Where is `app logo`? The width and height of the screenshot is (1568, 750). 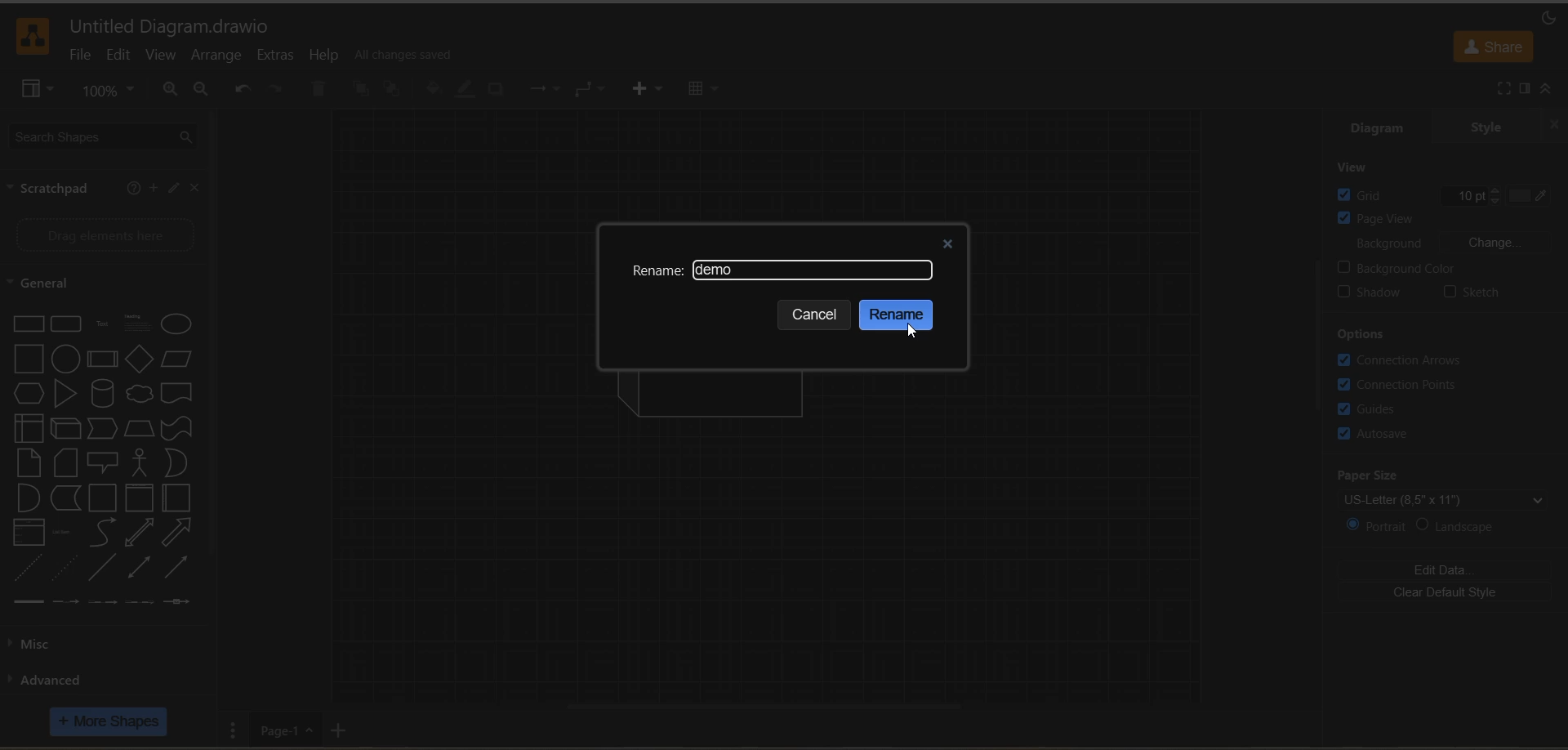 app logo is located at coordinates (34, 36).